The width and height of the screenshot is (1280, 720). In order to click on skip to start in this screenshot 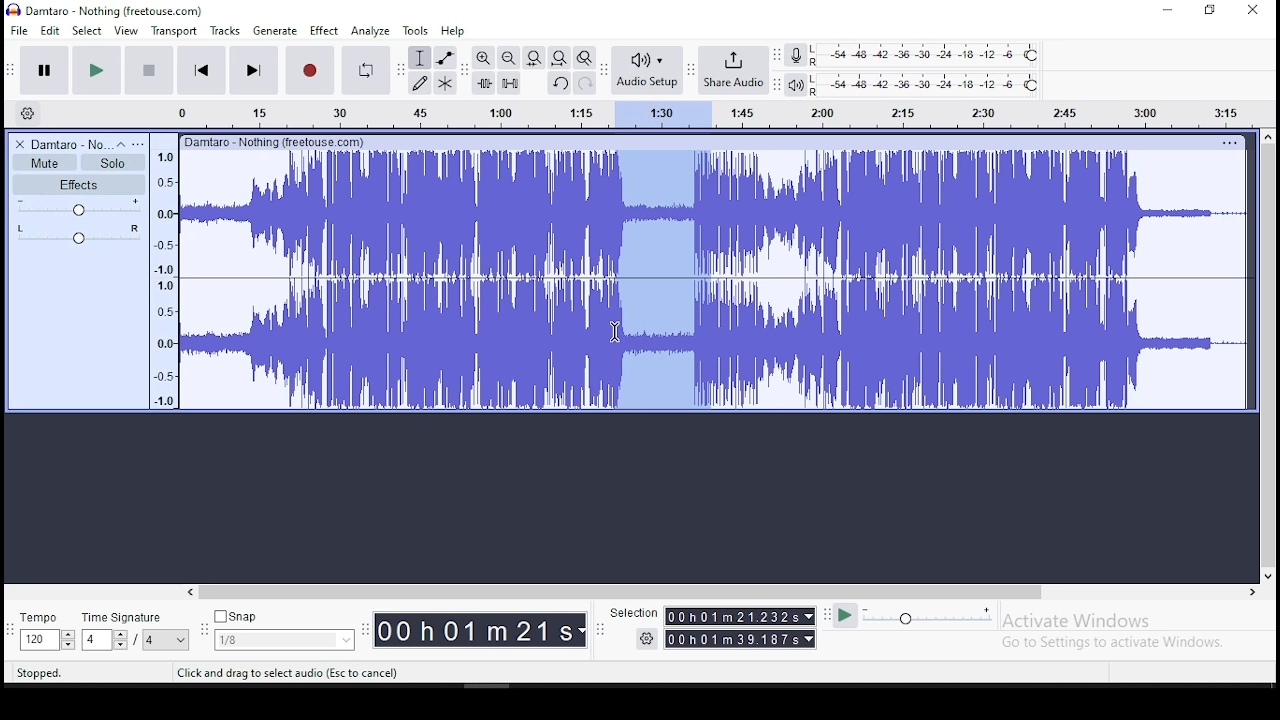, I will do `click(202, 69)`.